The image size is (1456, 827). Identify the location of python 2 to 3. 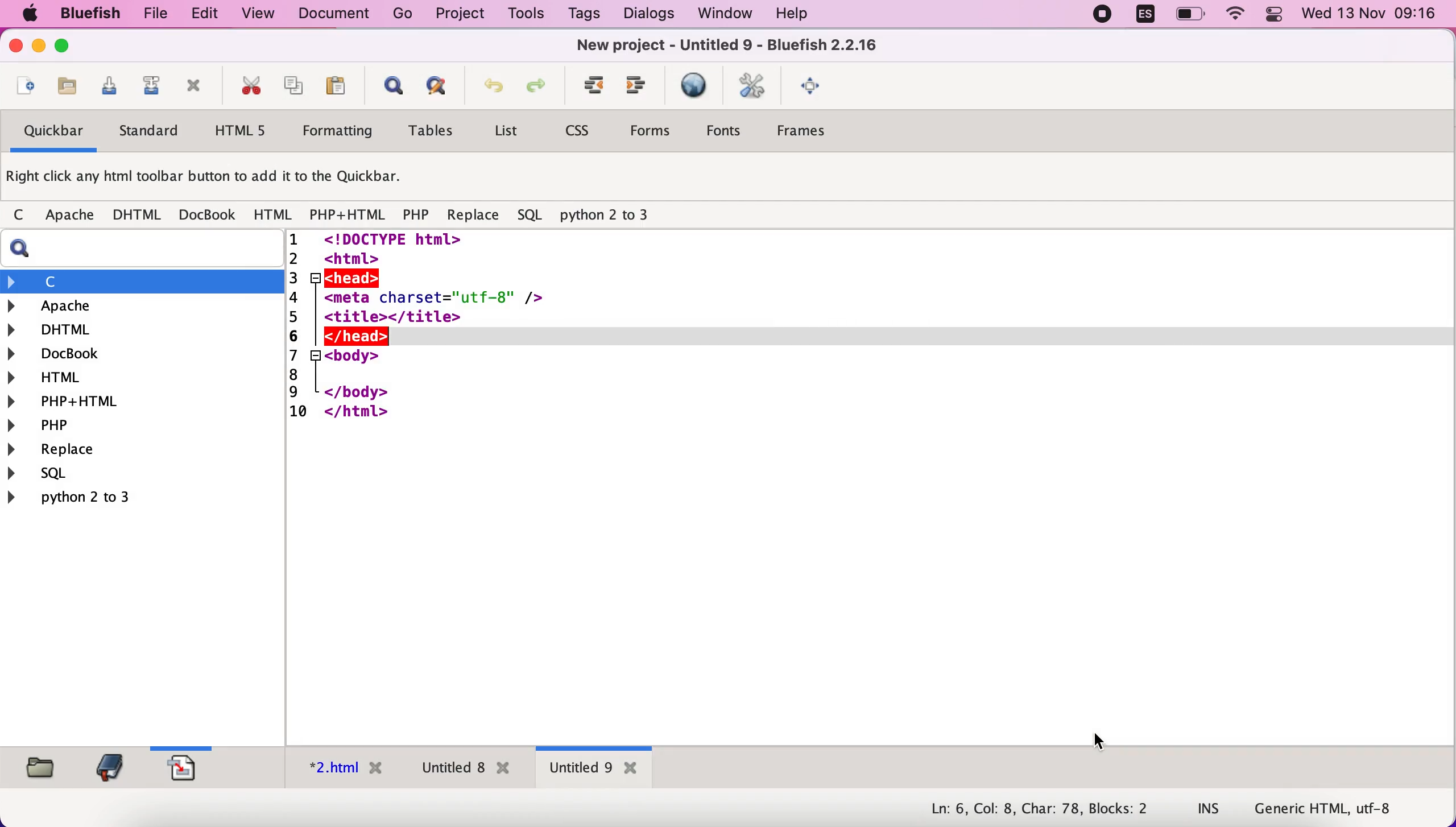
(615, 216).